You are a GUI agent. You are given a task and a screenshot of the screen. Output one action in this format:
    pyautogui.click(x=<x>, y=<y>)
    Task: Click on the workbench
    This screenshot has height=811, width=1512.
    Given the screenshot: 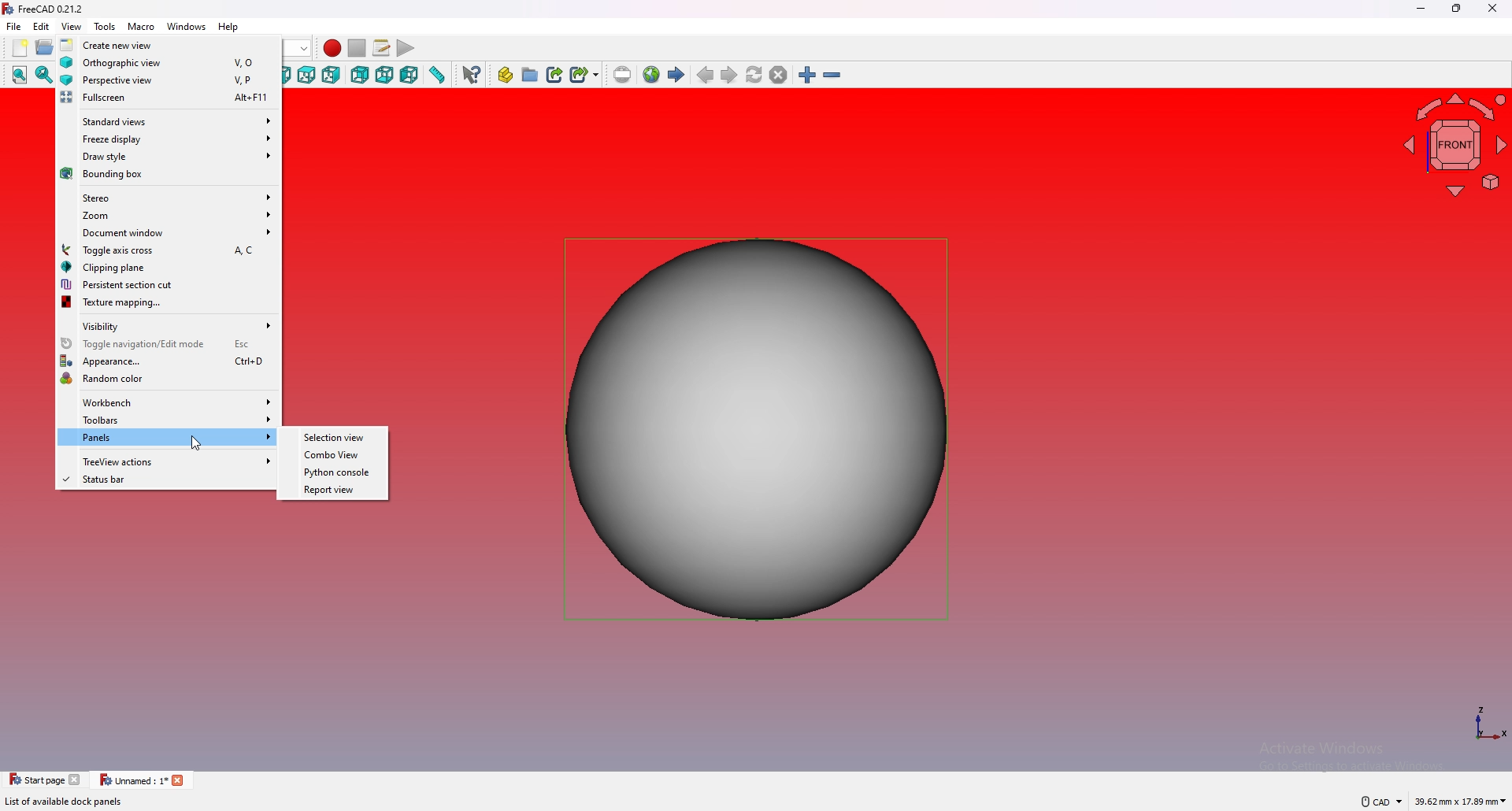 What is the action you would take?
    pyautogui.click(x=169, y=402)
    